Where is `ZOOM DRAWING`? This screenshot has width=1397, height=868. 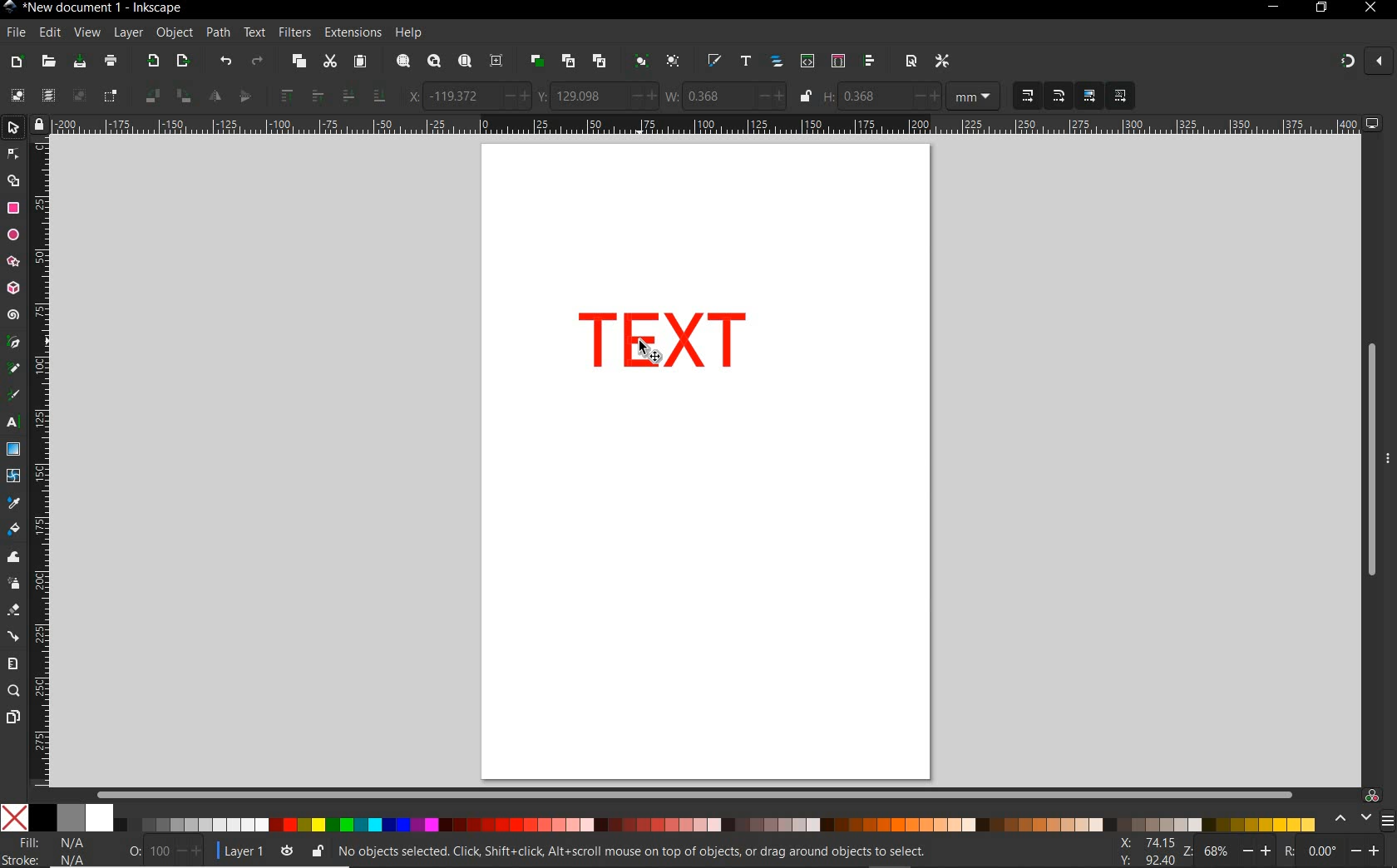
ZOOM DRAWING is located at coordinates (432, 62).